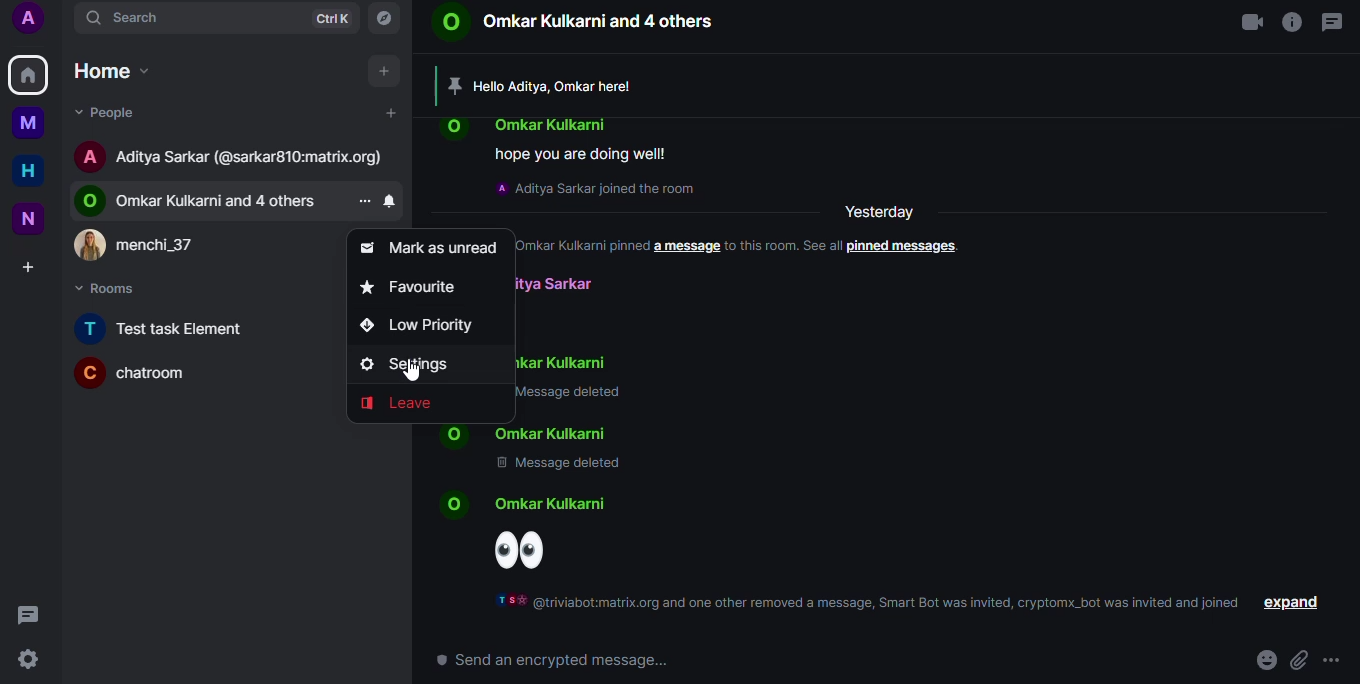 This screenshot has height=684, width=1360. What do you see at coordinates (454, 83) in the screenshot?
I see `pin` at bounding box center [454, 83].